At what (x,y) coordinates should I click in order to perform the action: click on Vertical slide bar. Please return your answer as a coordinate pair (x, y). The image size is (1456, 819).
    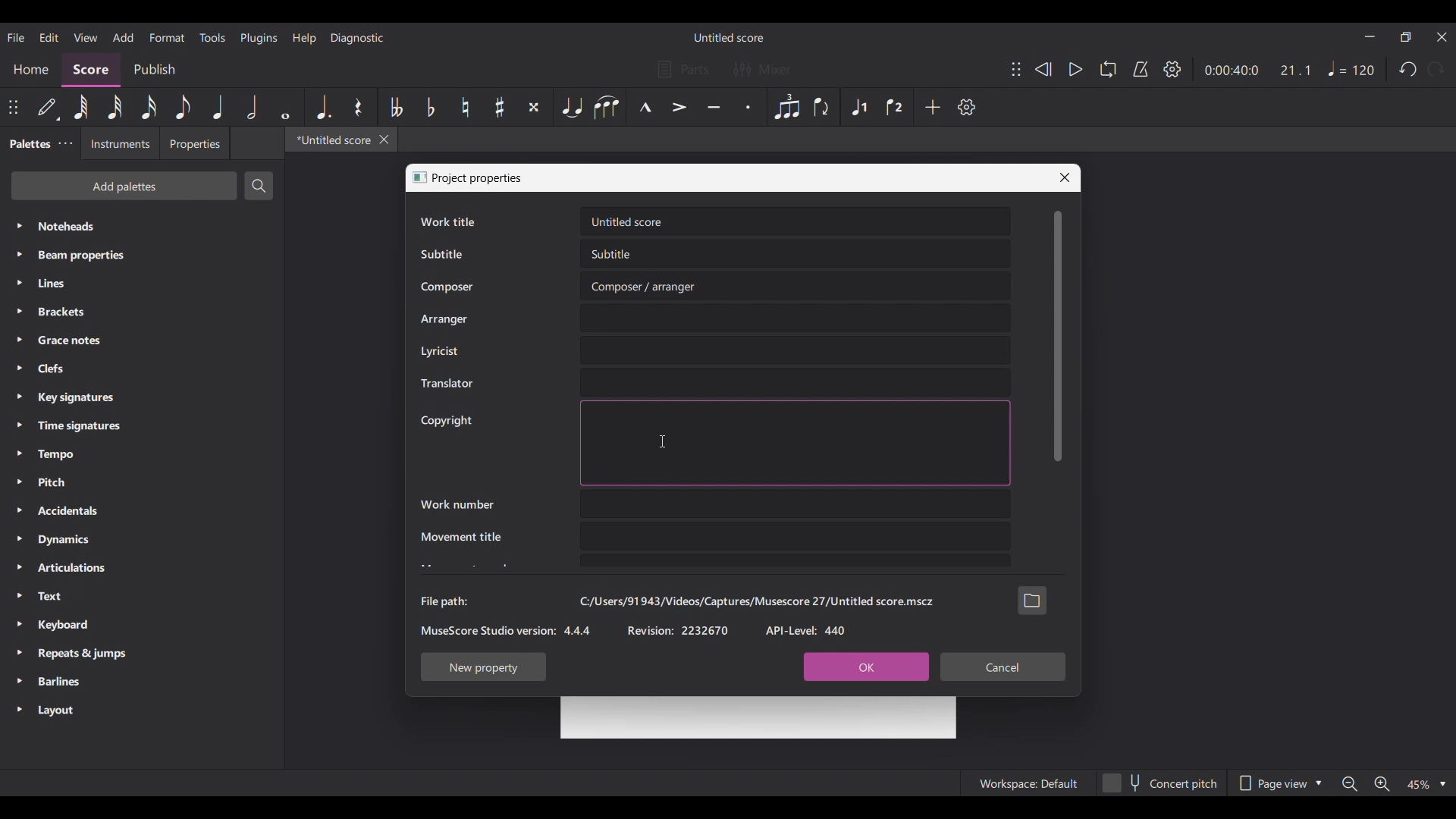
    Looking at the image, I should click on (1059, 336).